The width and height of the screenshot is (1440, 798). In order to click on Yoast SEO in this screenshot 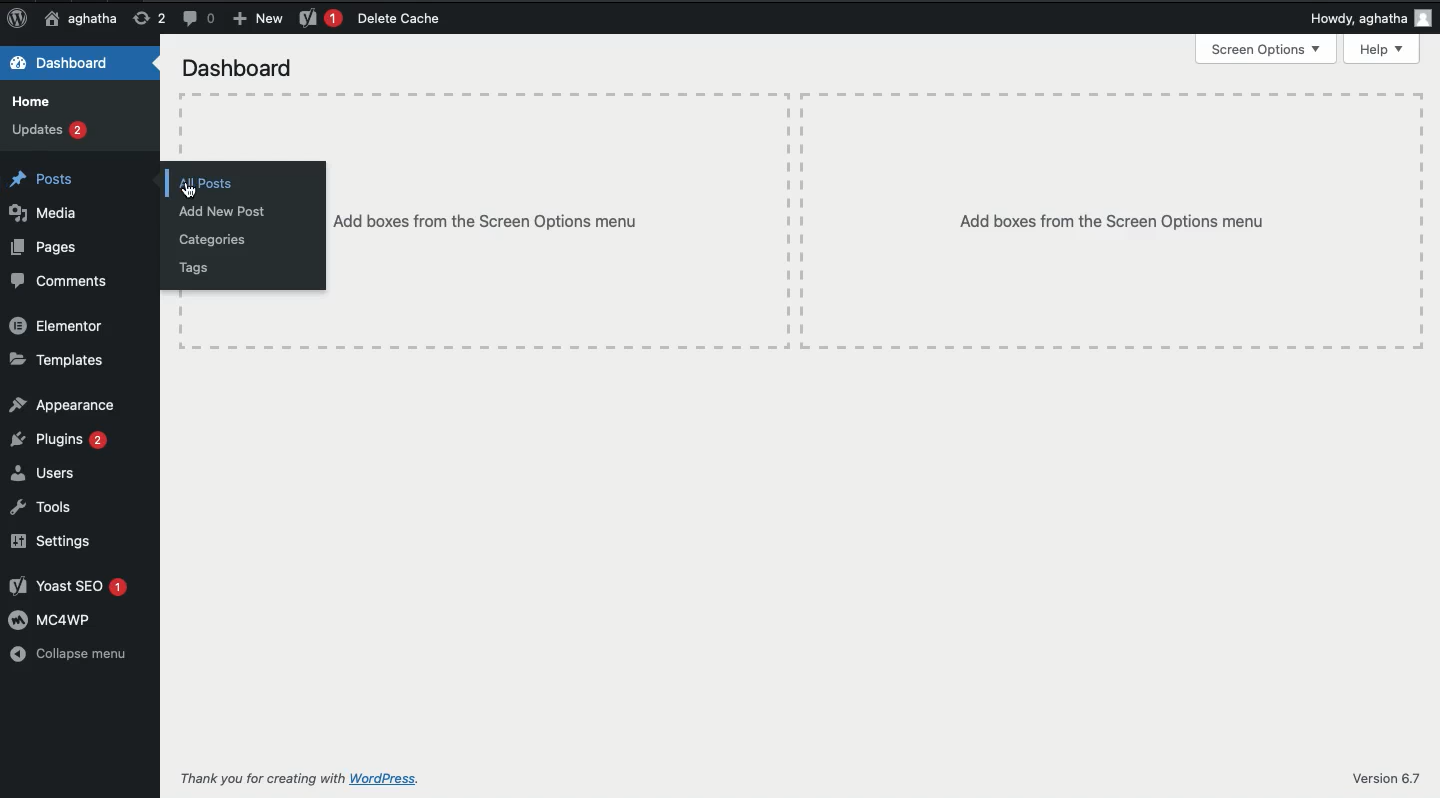, I will do `click(68, 586)`.